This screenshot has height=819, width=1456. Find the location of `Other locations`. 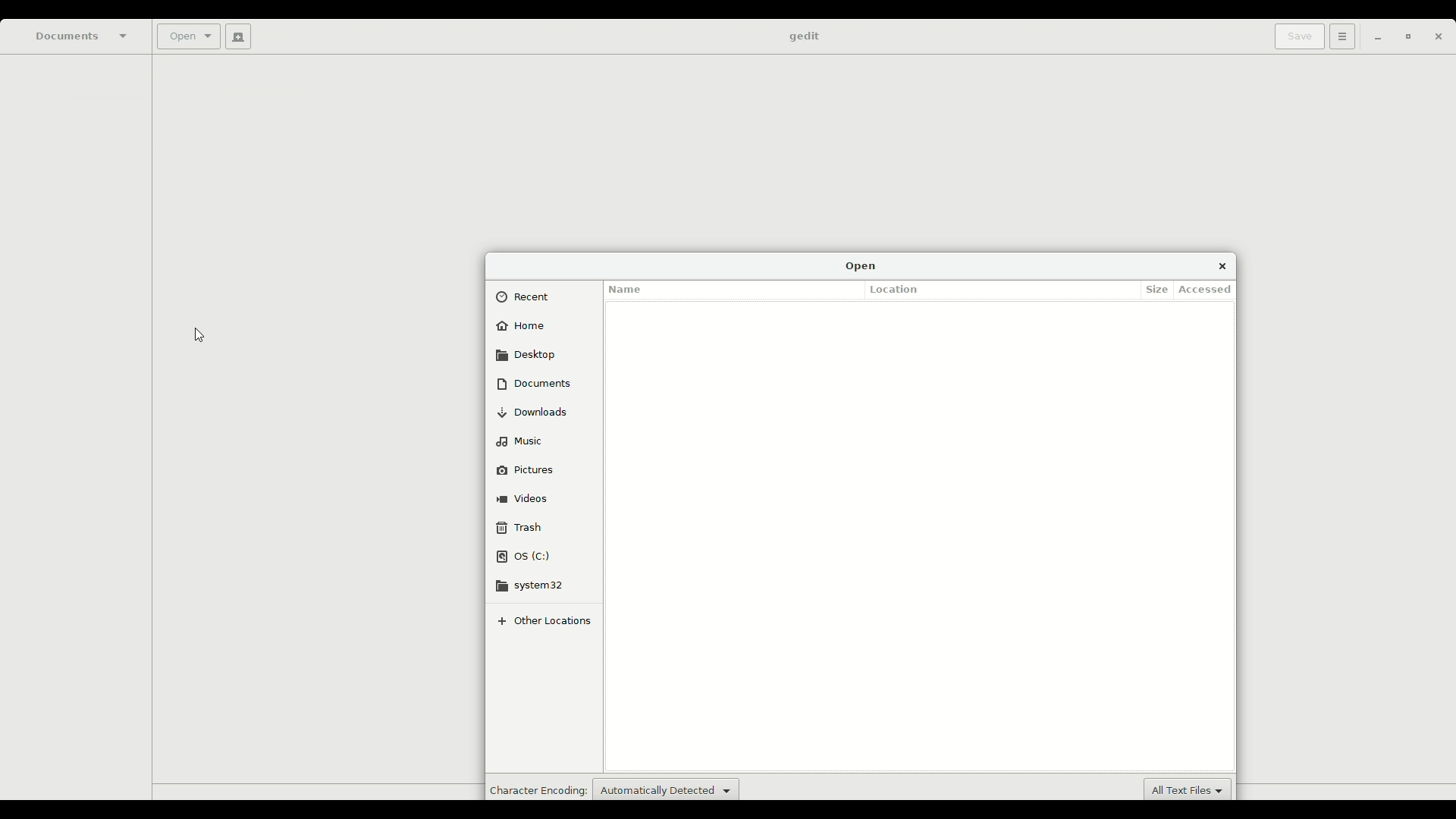

Other locations is located at coordinates (549, 620).